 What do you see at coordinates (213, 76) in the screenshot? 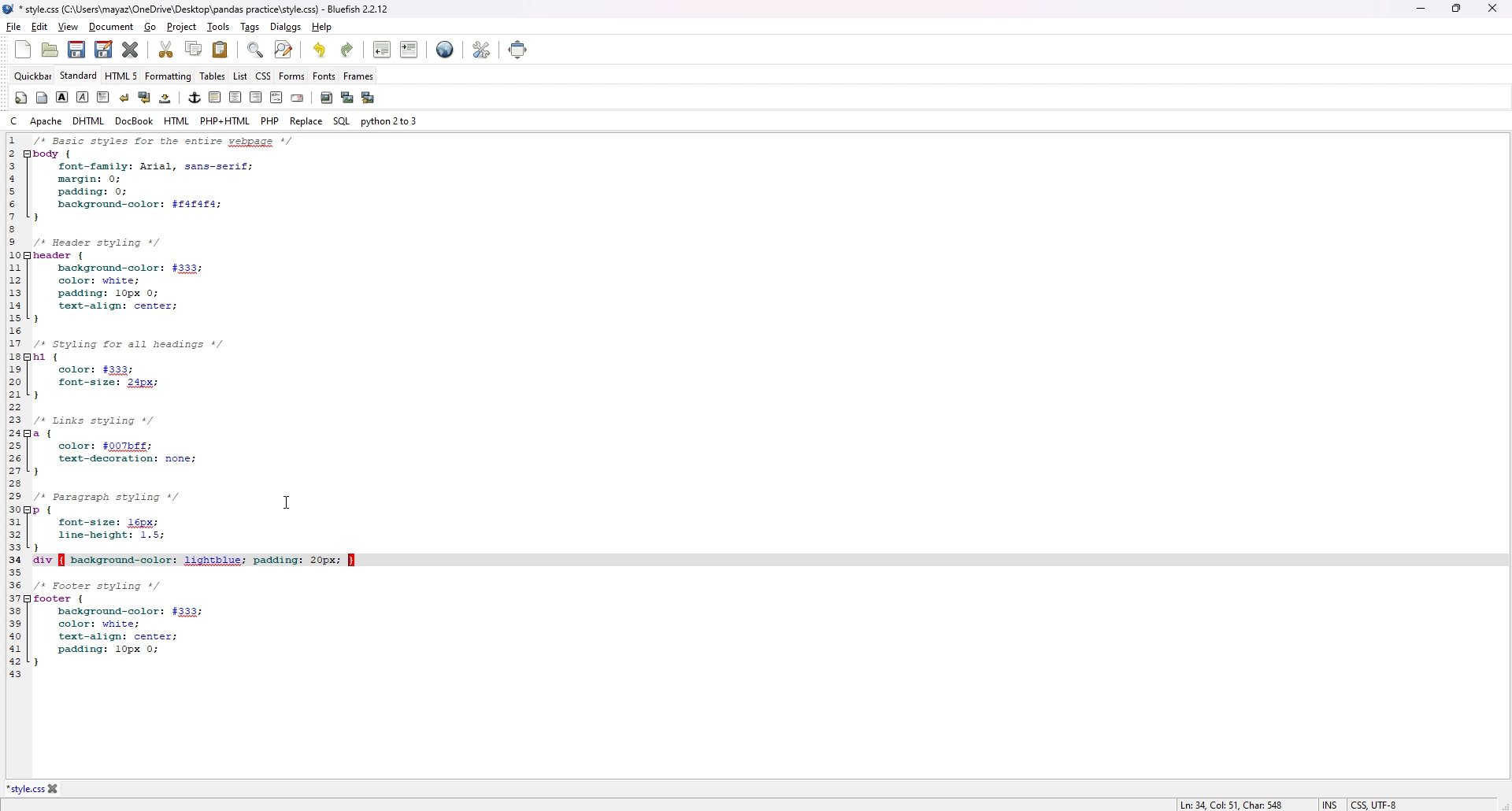
I see `tables` at bounding box center [213, 76].